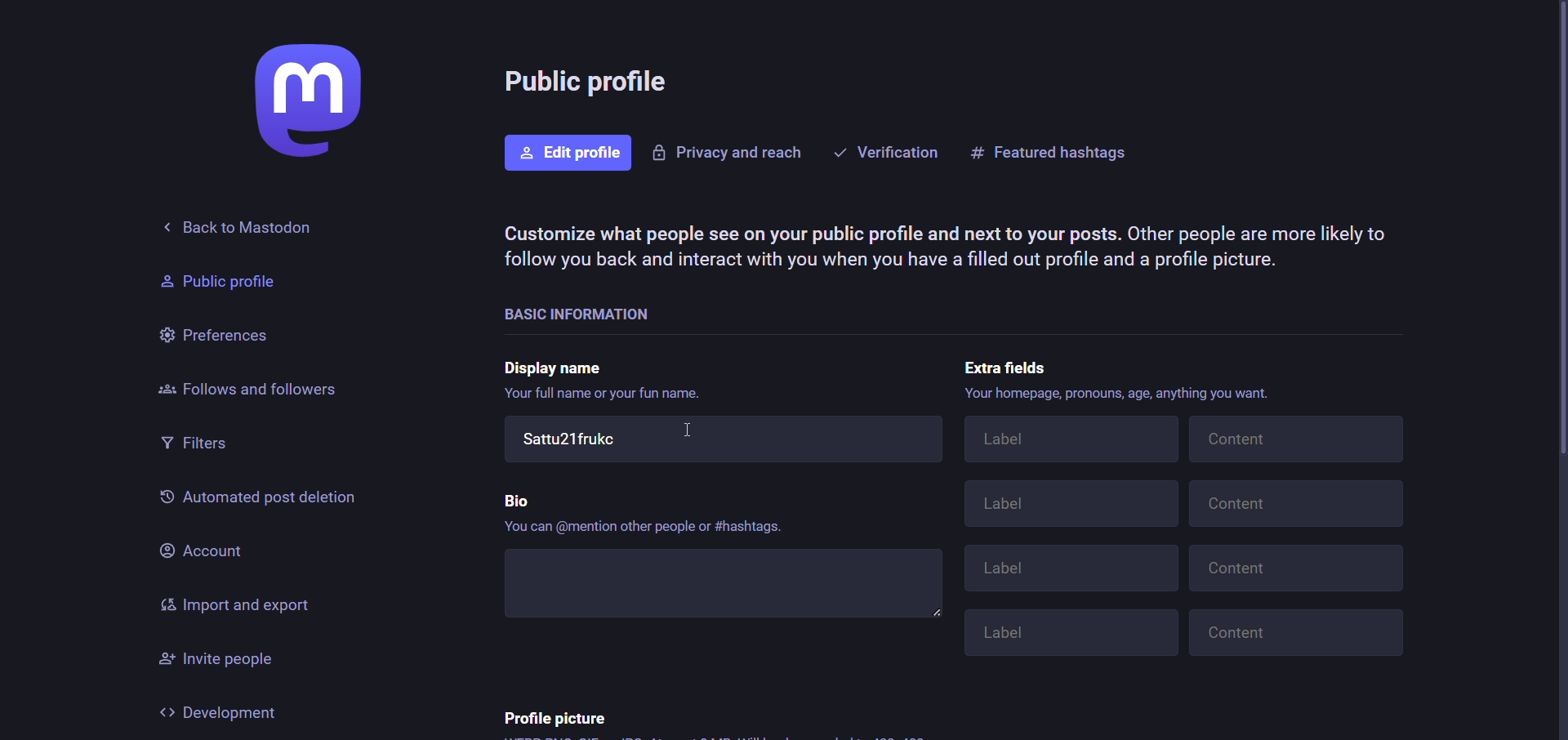 Image resolution: width=1568 pixels, height=740 pixels. I want to click on Customize what people see on your public profile and next to your posts. Other people are more likely to
follow you back and interact with you when you have a filled out profile and a profile picture., so click(945, 247).